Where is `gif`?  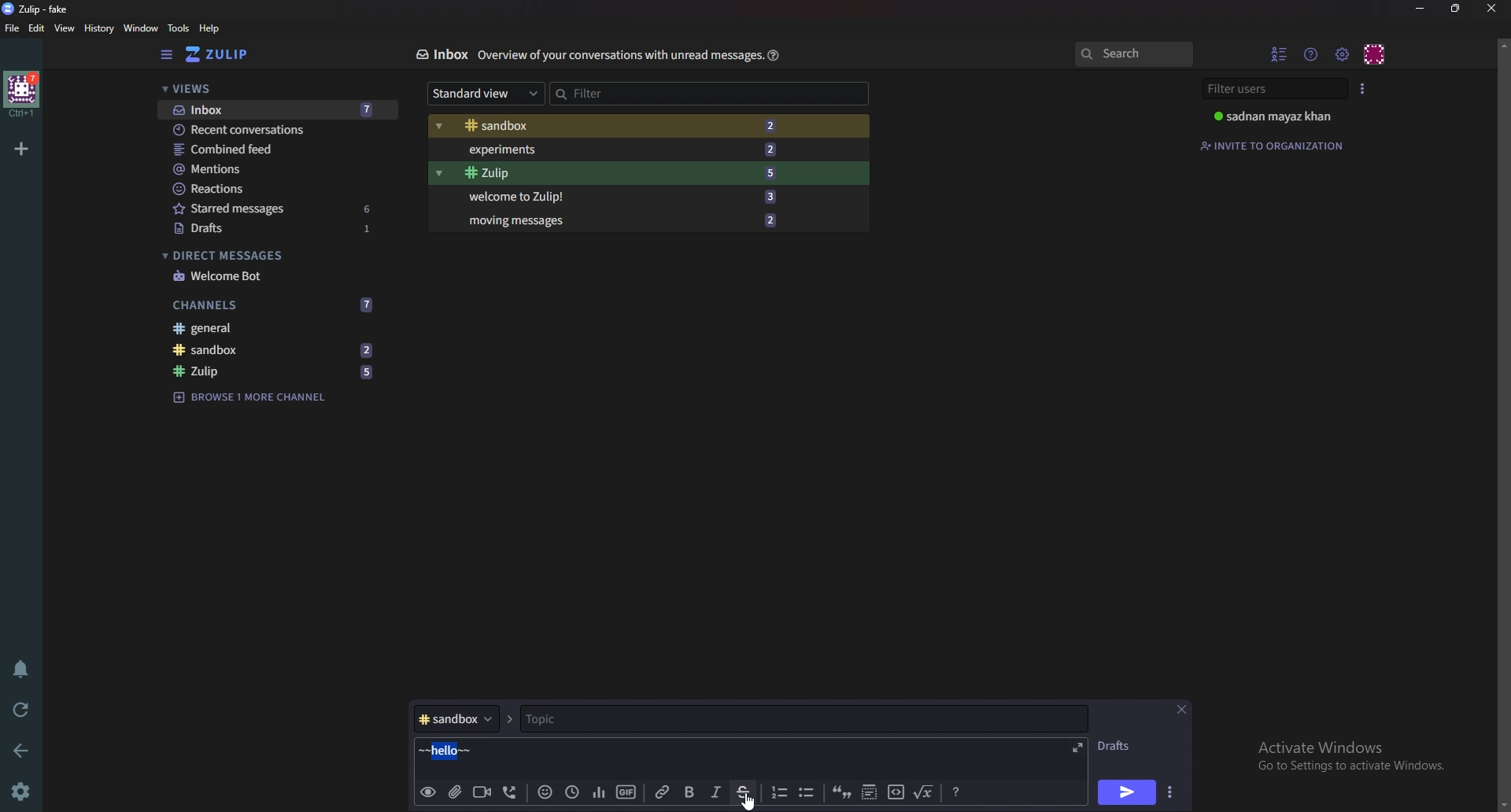
gif is located at coordinates (626, 794).